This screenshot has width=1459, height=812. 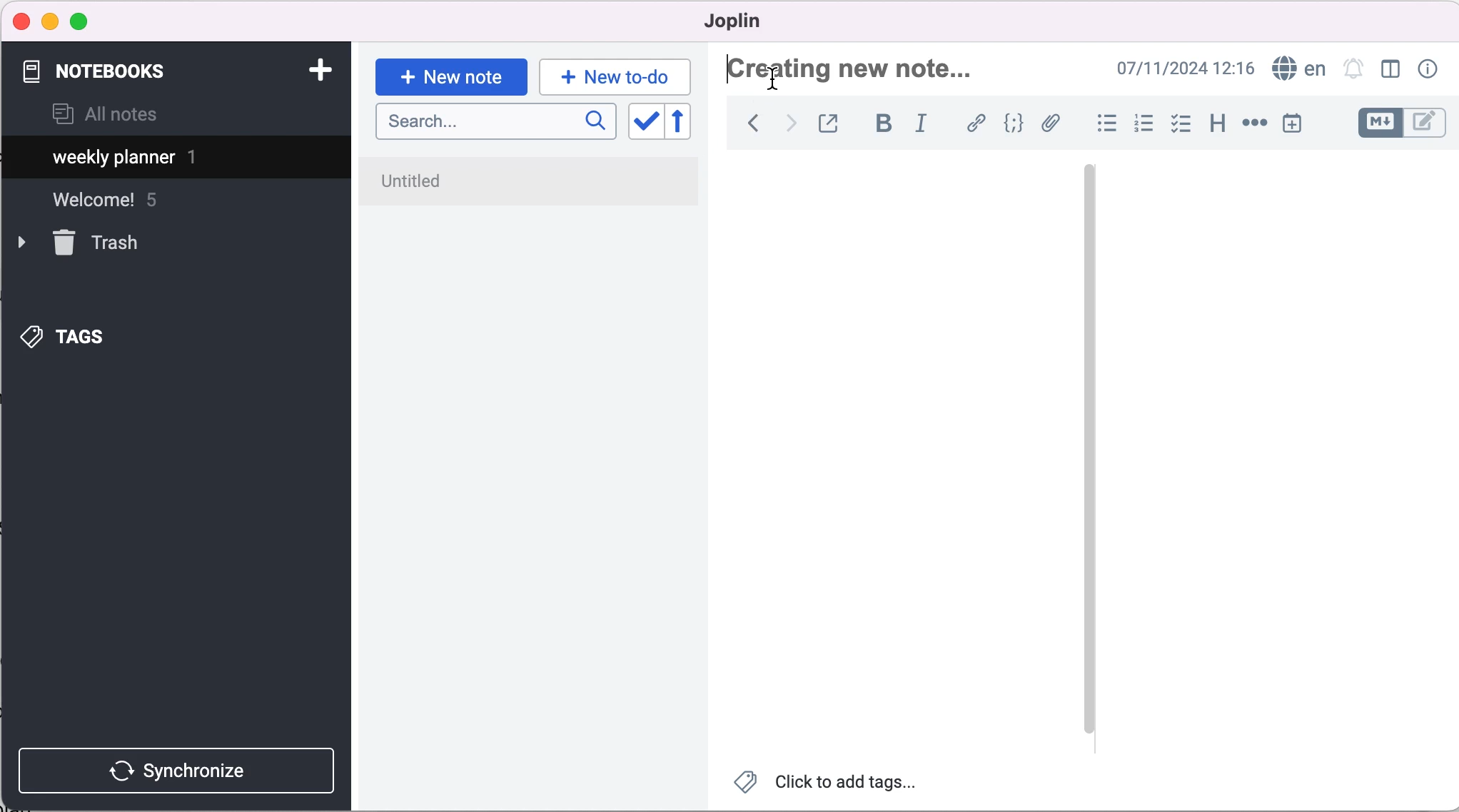 I want to click on back, so click(x=752, y=127).